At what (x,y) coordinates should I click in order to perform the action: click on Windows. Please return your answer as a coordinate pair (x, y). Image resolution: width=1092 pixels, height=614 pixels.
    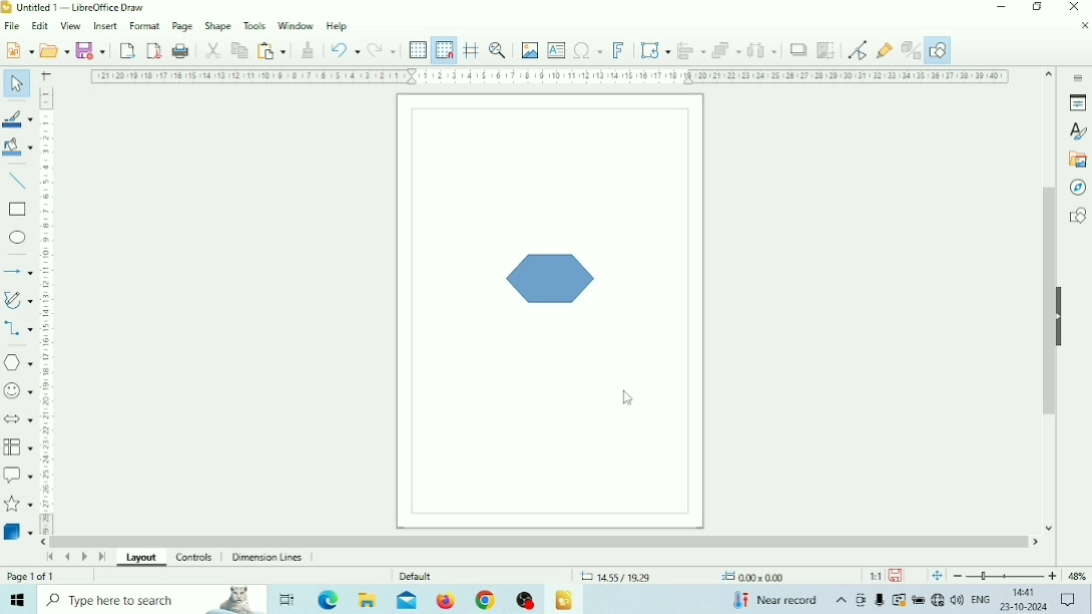
    Looking at the image, I should click on (18, 599).